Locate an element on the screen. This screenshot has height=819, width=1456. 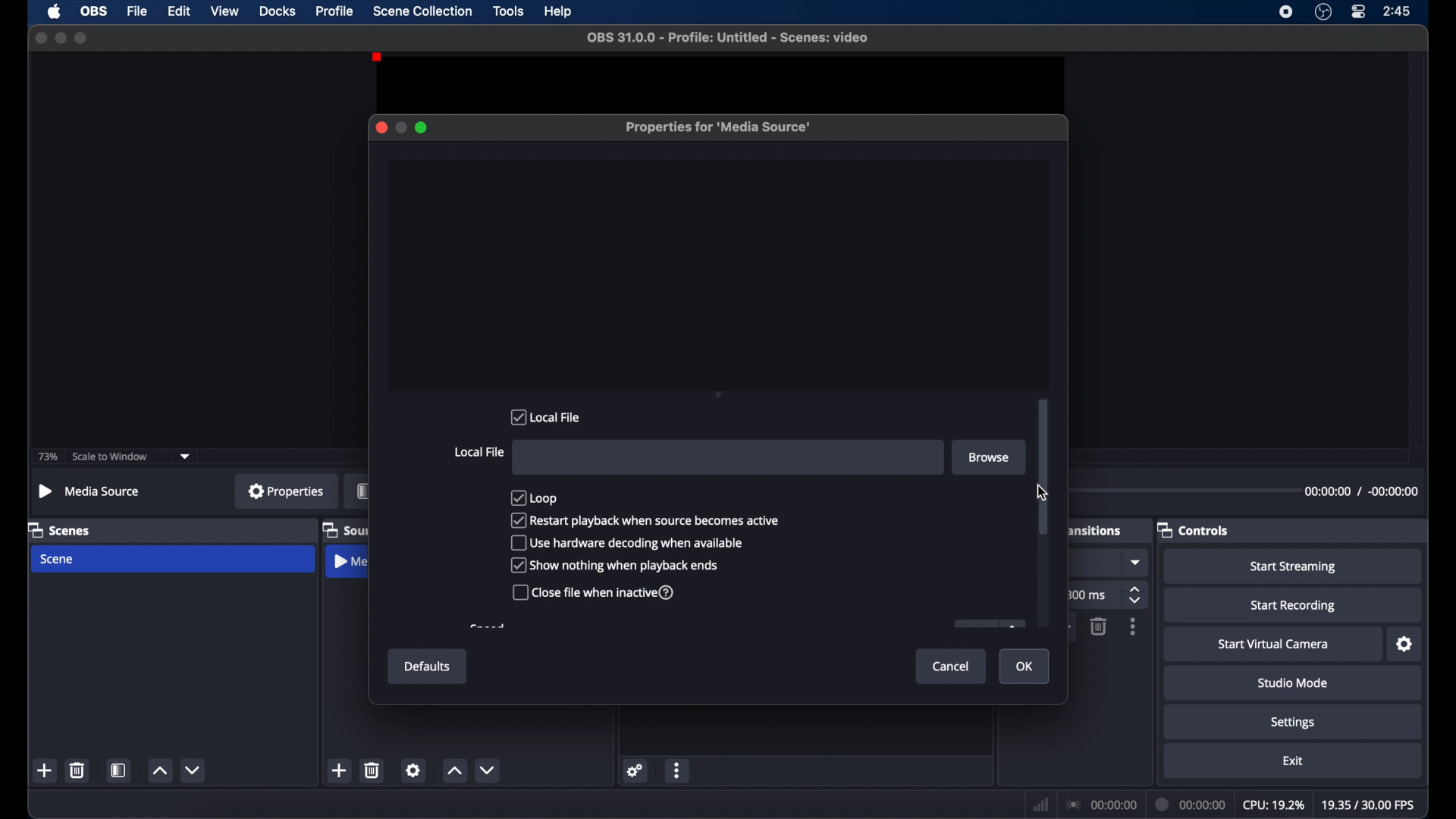
file is located at coordinates (138, 11).